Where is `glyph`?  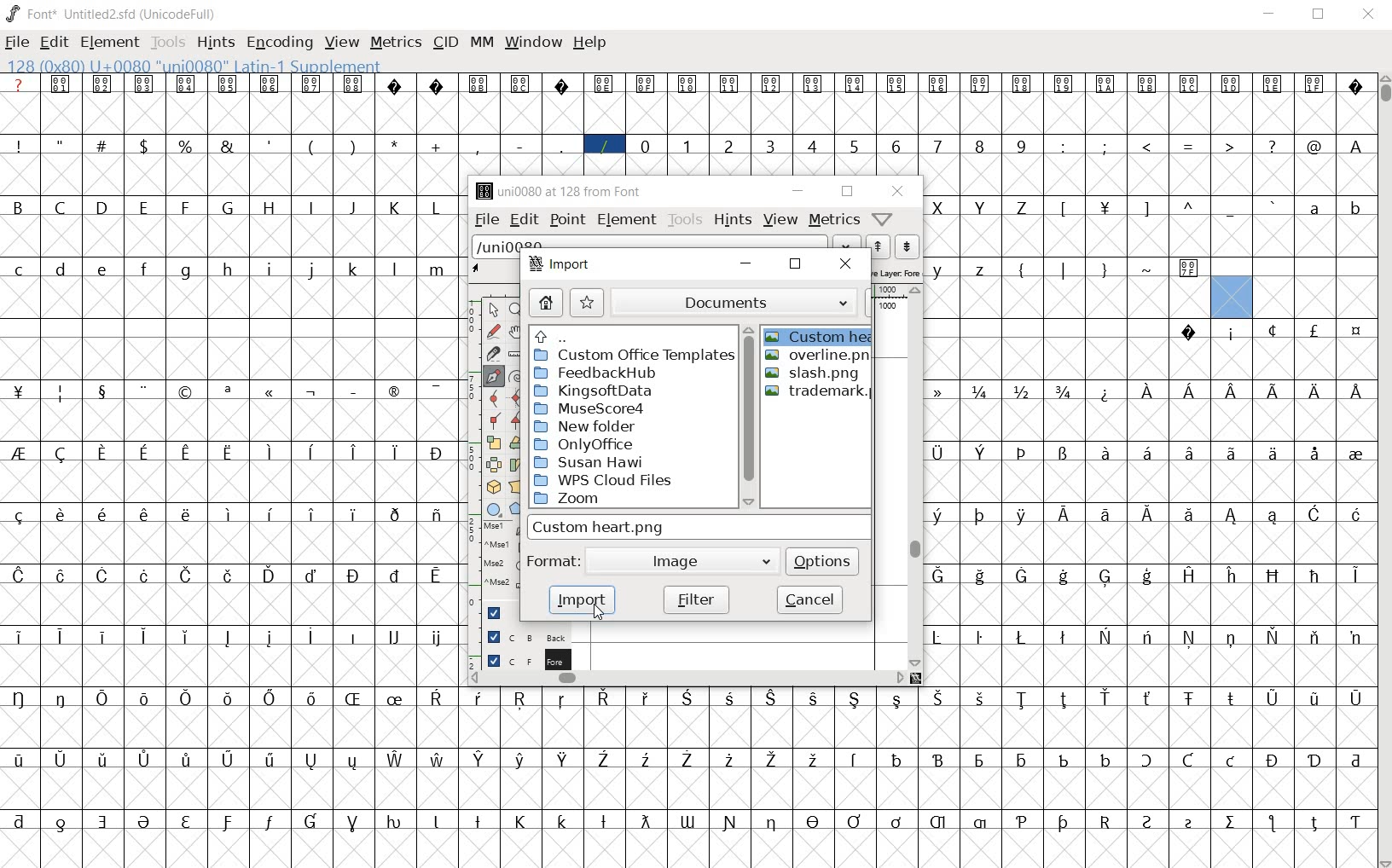 glyph is located at coordinates (353, 576).